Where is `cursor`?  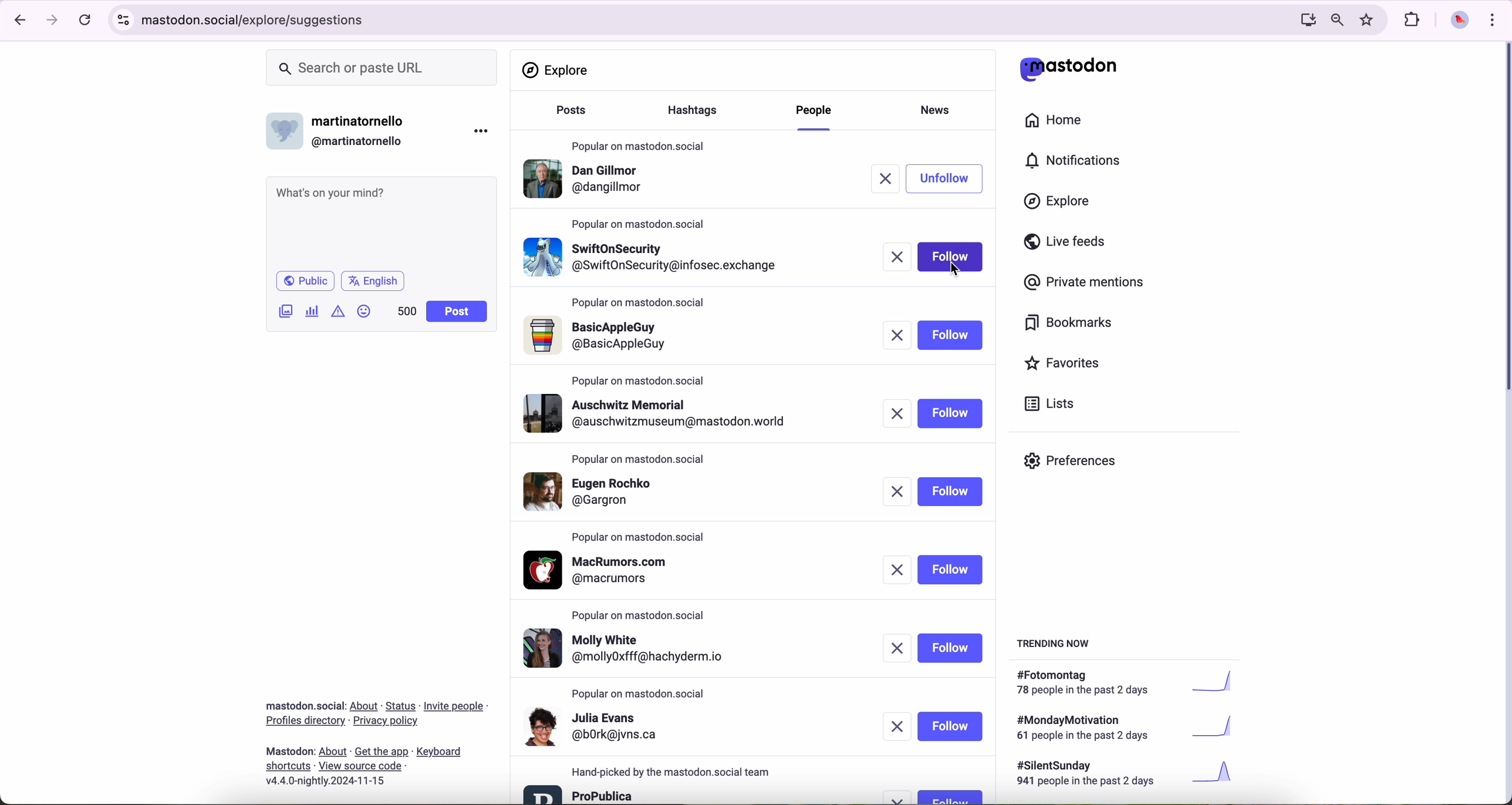
cursor is located at coordinates (957, 272).